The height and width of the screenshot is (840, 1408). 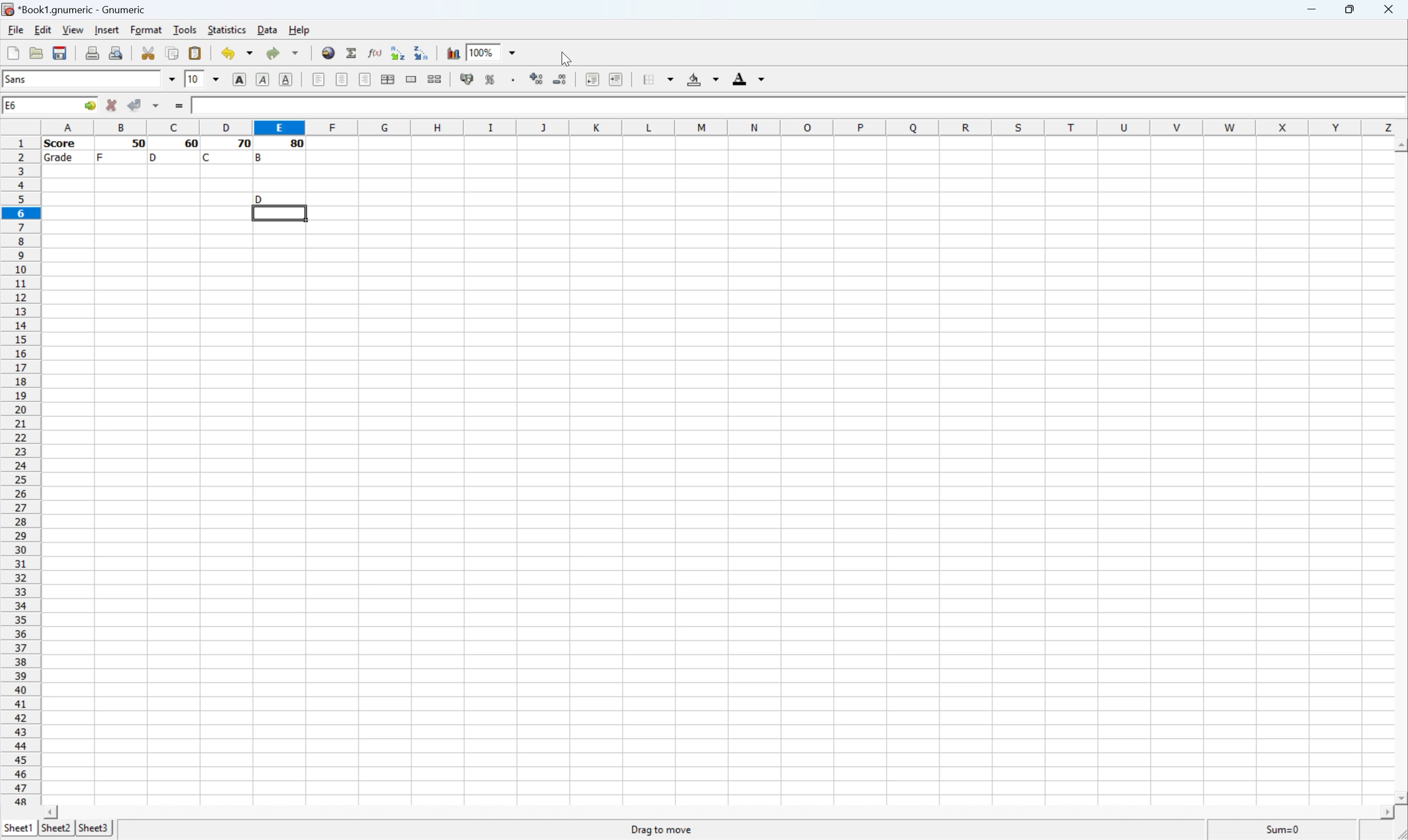 I want to click on Sans, so click(x=32, y=80).